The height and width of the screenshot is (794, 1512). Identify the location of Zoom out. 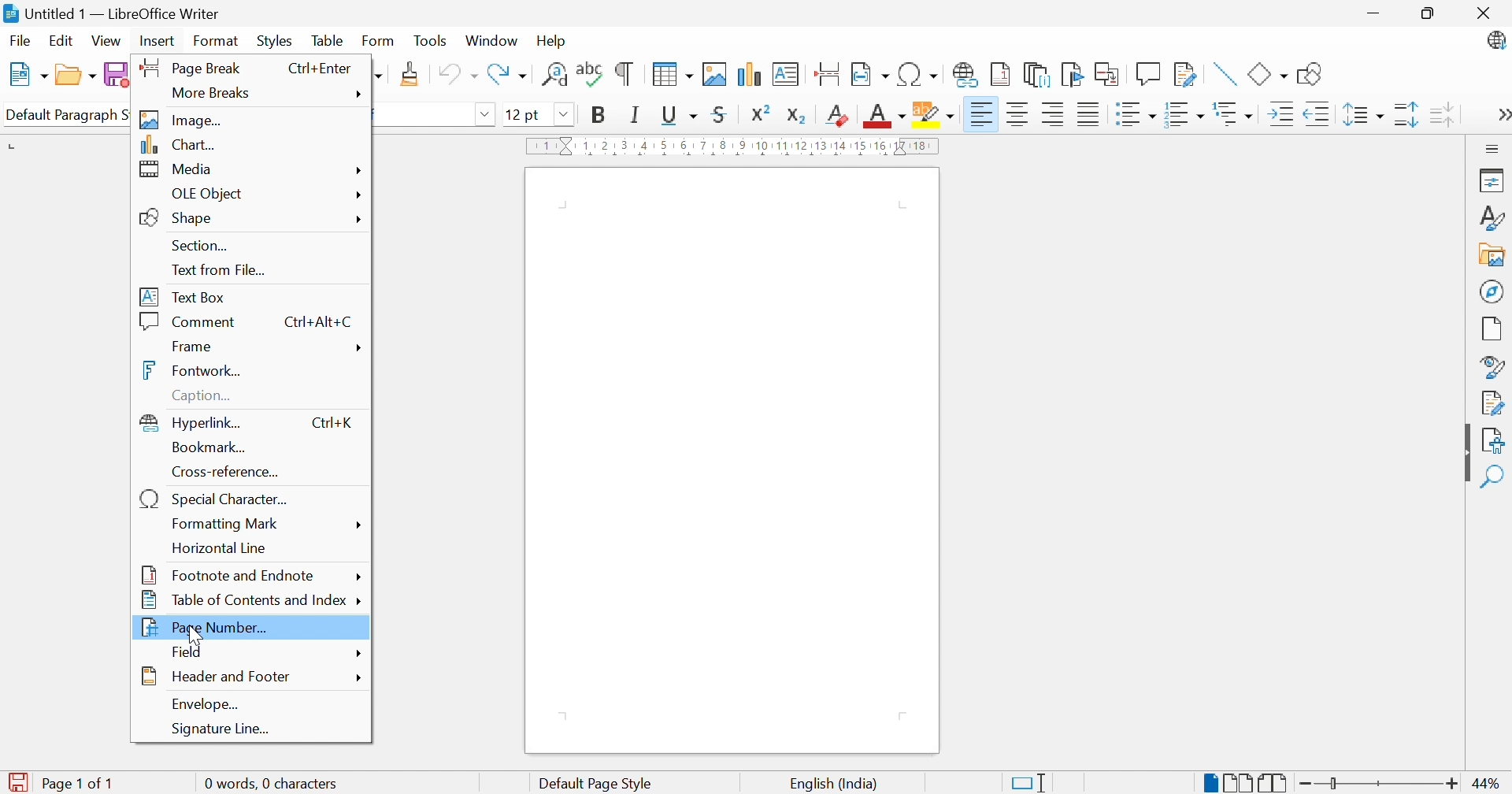
(1308, 785).